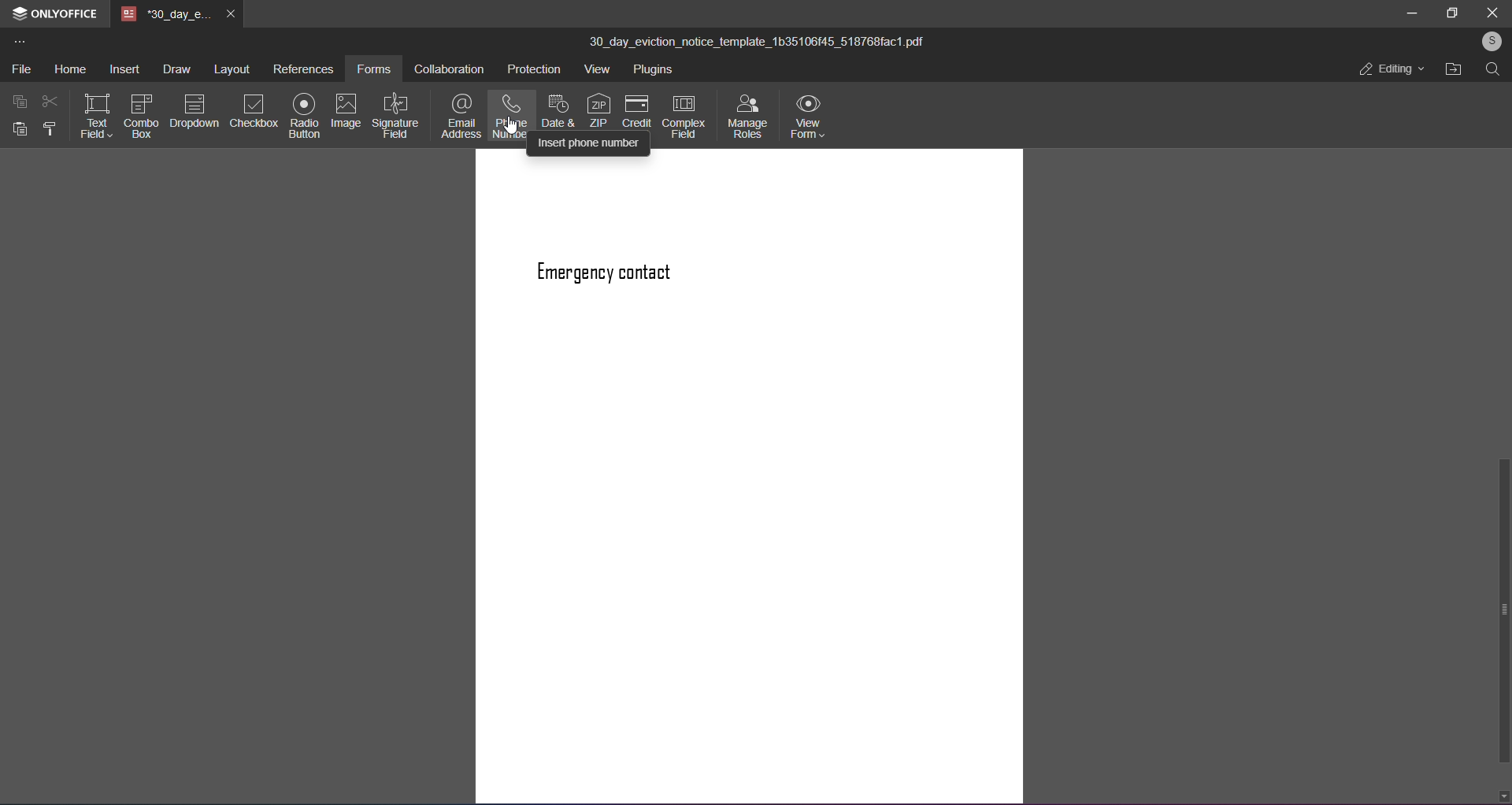 Image resolution: width=1512 pixels, height=805 pixels. What do you see at coordinates (65, 14) in the screenshot?
I see `onlyoffice` at bounding box center [65, 14].